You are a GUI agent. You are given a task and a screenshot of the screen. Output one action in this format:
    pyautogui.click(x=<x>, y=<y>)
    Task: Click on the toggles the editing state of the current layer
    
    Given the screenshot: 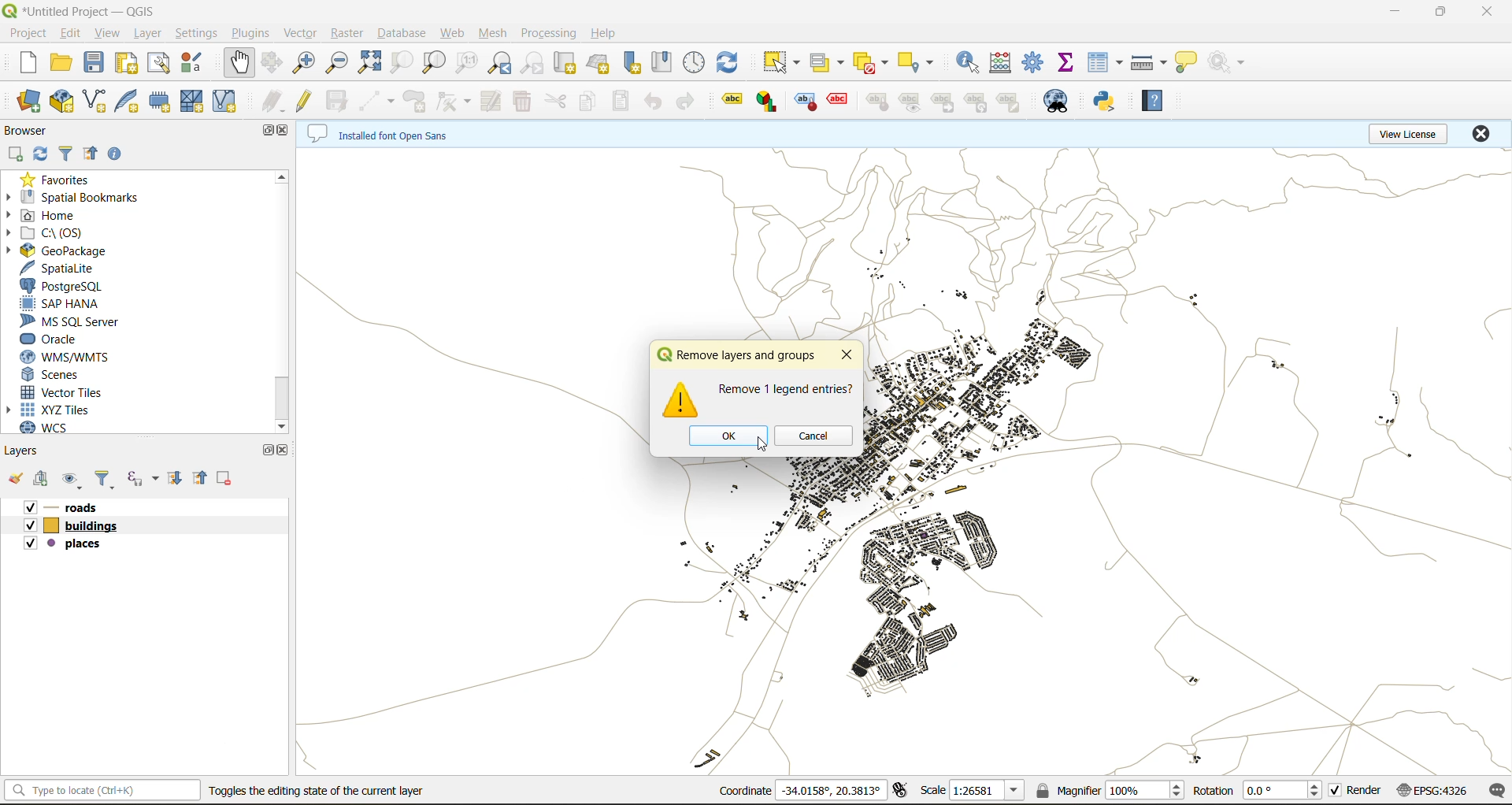 What is the action you would take?
    pyautogui.click(x=322, y=790)
    